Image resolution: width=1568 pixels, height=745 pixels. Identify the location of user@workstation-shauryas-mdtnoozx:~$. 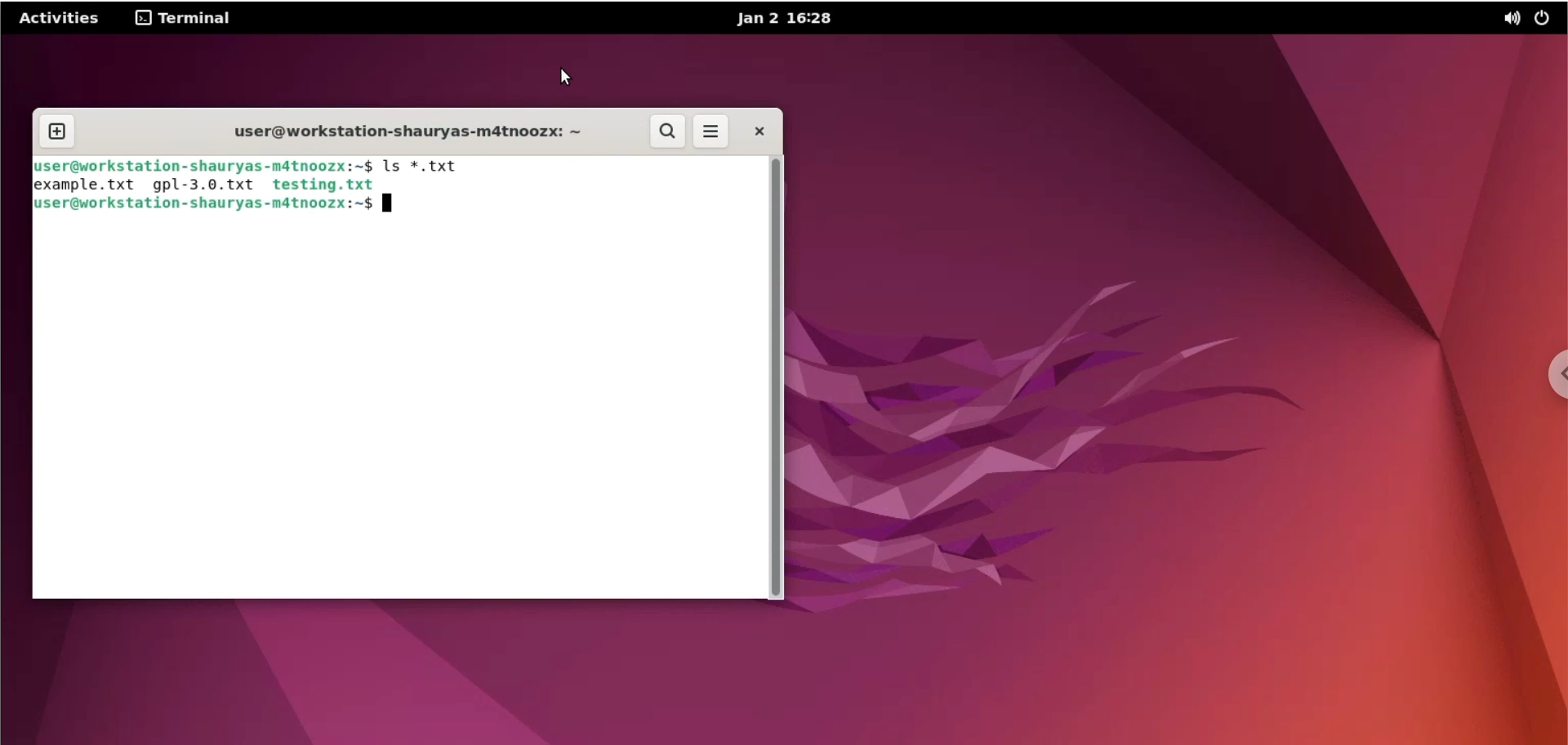
(201, 207).